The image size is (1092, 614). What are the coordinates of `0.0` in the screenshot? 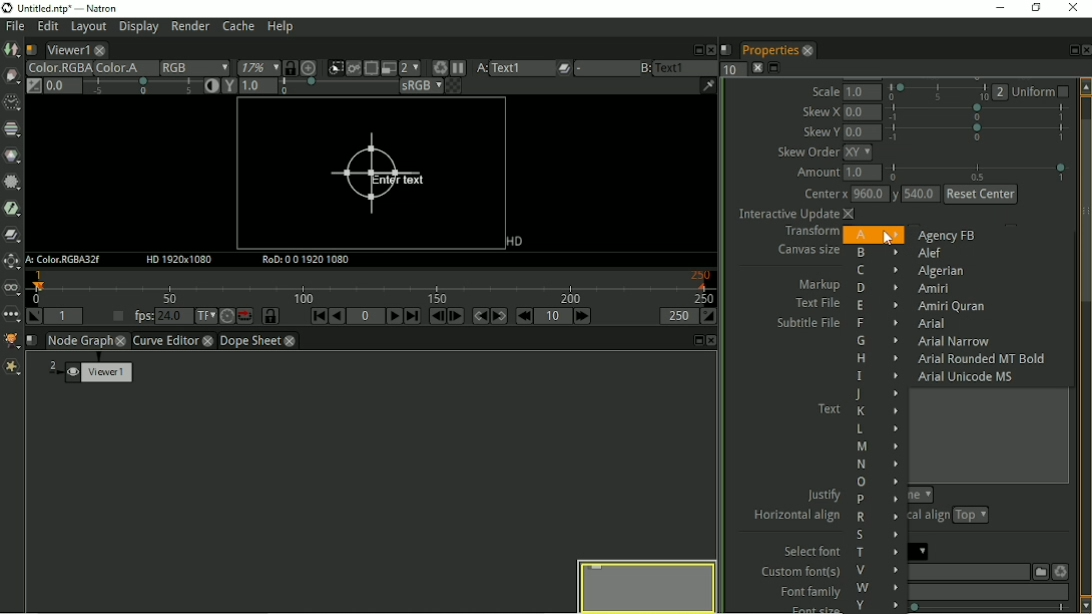 It's located at (862, 112).